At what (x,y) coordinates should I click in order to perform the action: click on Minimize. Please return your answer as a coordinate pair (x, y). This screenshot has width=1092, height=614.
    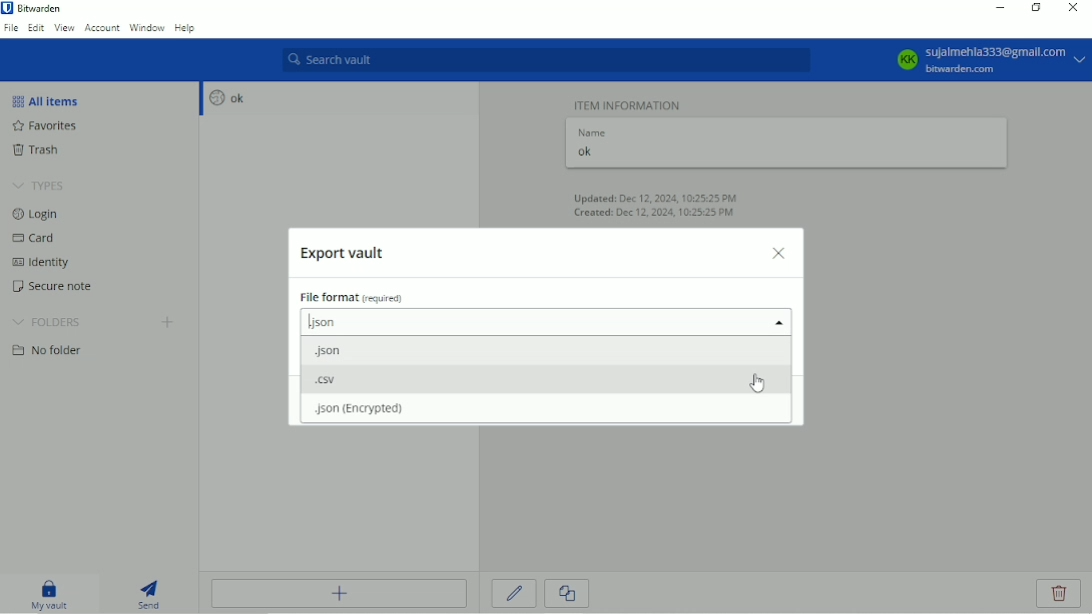
    Looking at the image, I should click on (997, 8).